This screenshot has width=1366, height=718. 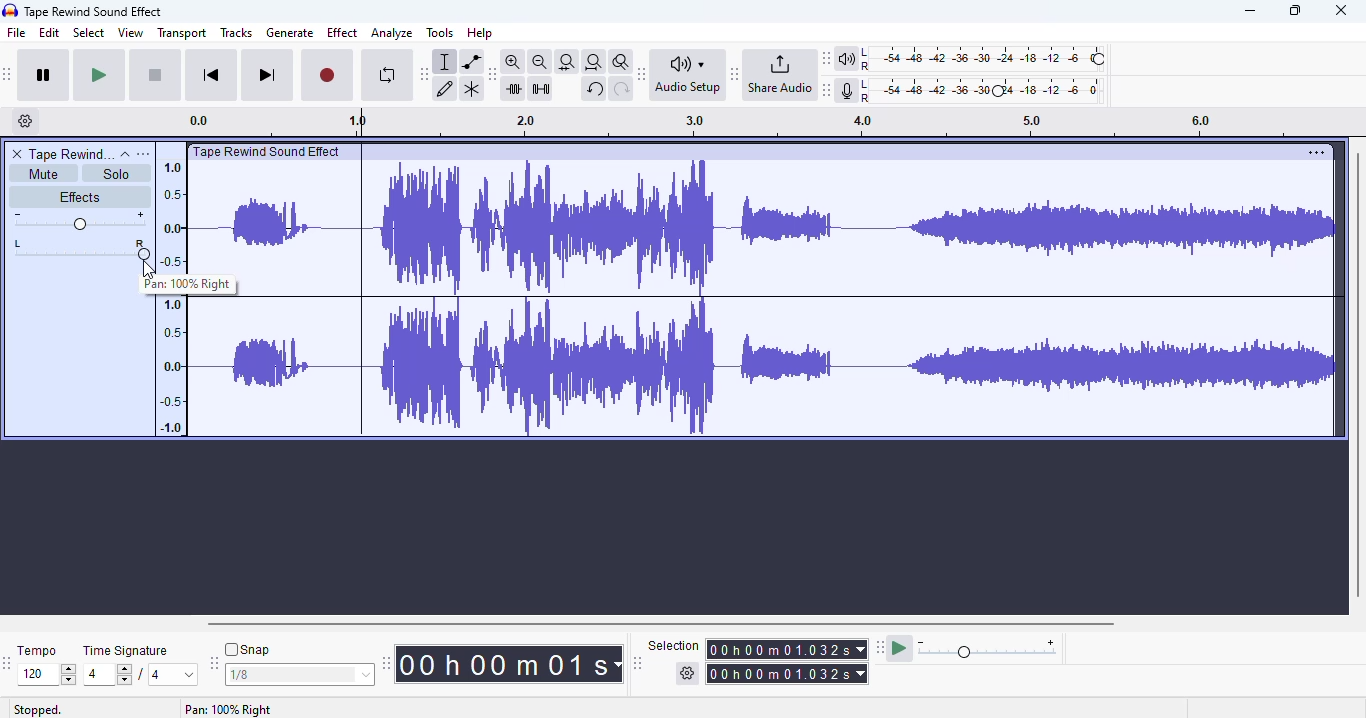 I want to click on playback meter, so click(x=973, y=59).